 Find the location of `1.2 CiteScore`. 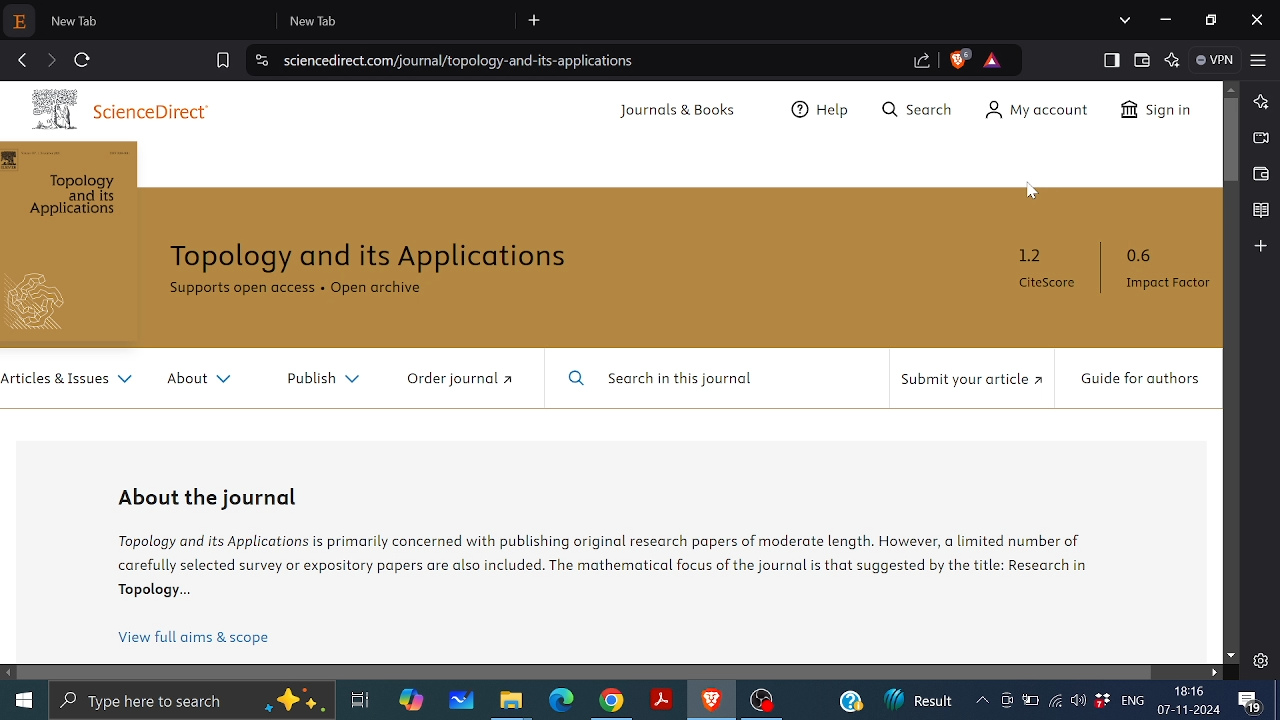

1.2 CiteScore is located at coordinates (1052, 270).